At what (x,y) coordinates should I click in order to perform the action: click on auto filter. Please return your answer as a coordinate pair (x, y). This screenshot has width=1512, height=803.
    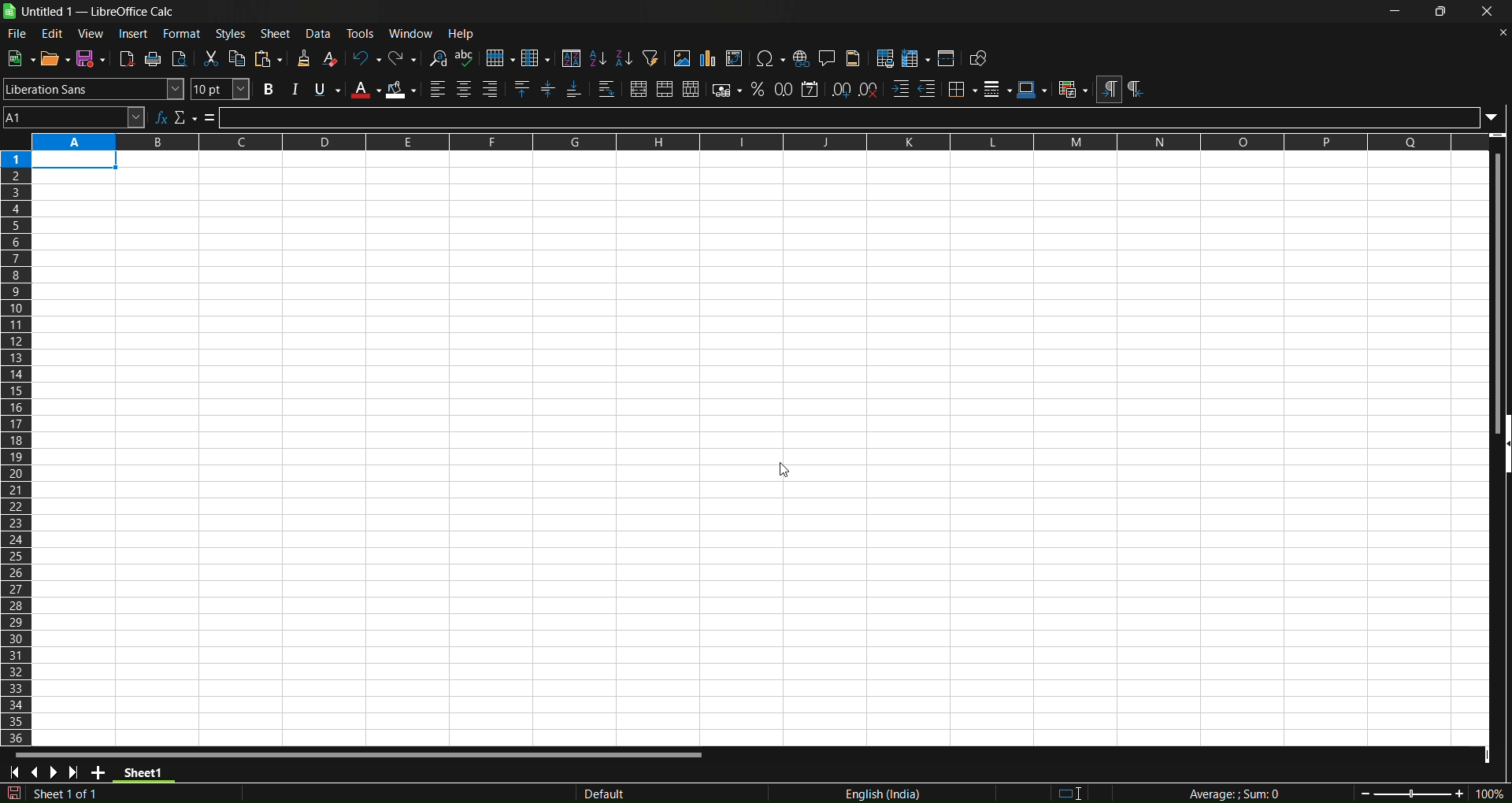
    Looking at the image, I should click on (650, 57).